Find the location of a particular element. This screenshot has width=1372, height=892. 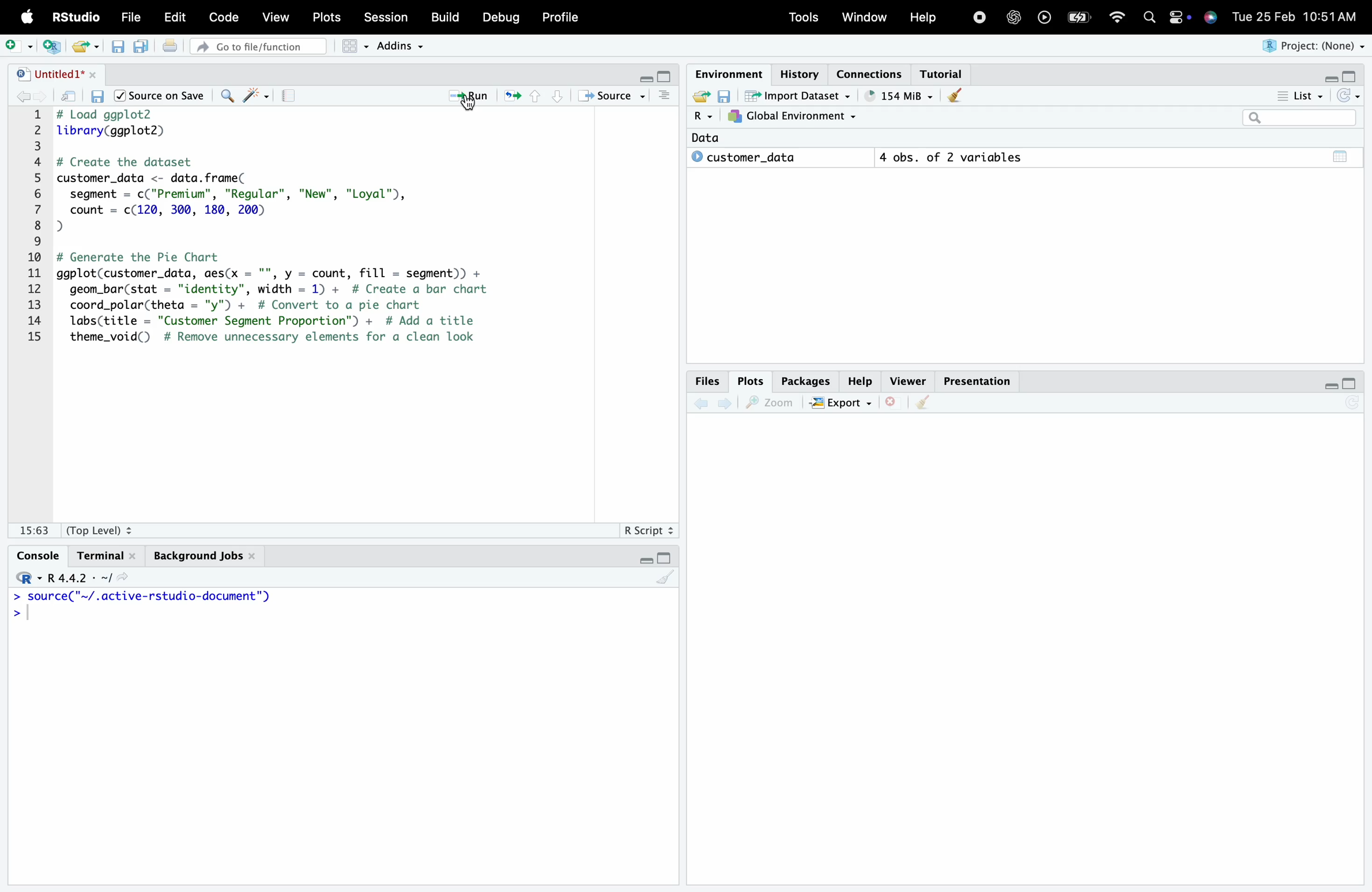

R Script + is located at coordinates (647, 529).